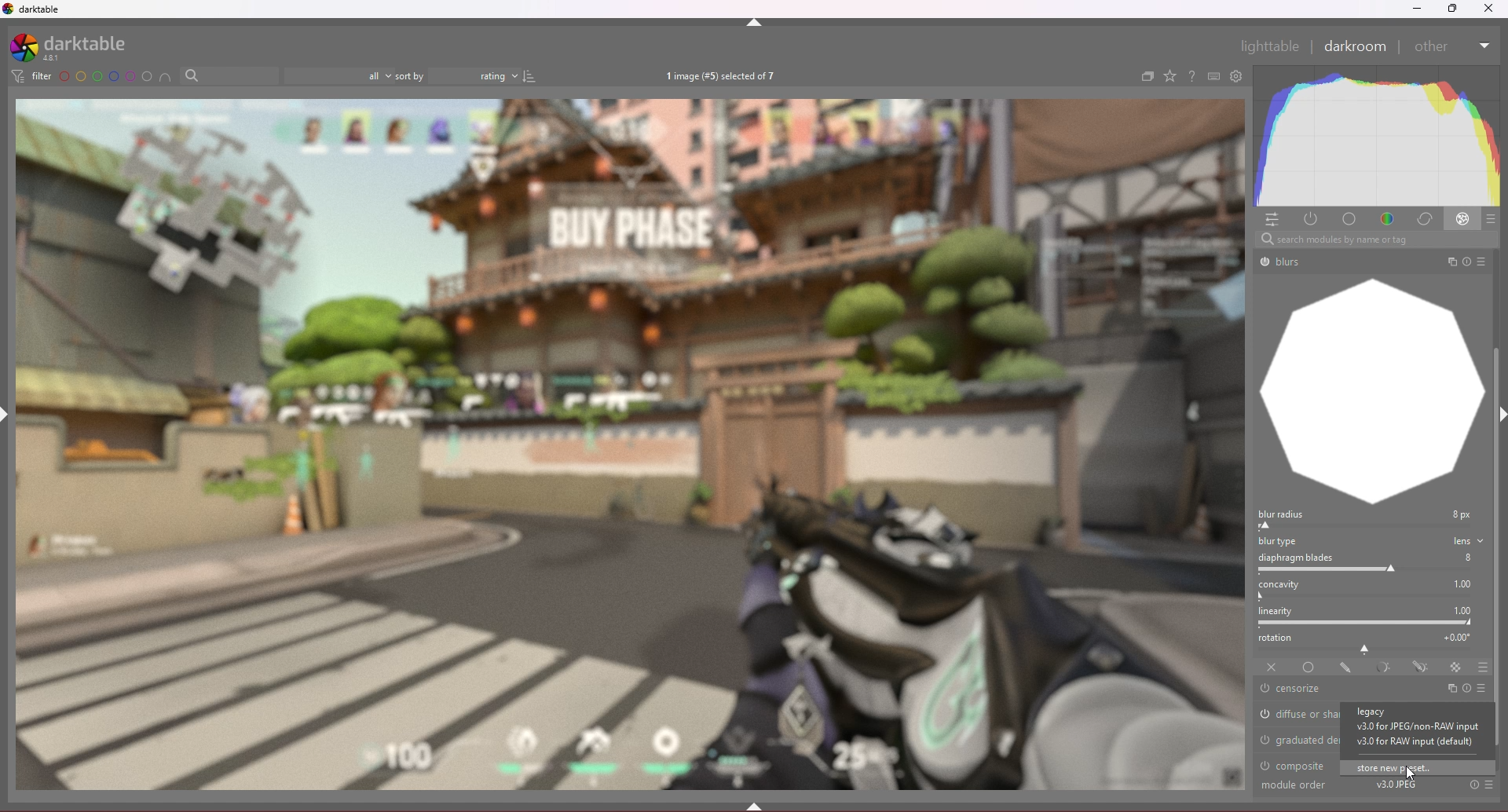 The height and width of the screenshot is (812, 1508). What do you see at coordinates (1433, 48) in the screenshot?
I see `` at bounding box center [1433, 48].